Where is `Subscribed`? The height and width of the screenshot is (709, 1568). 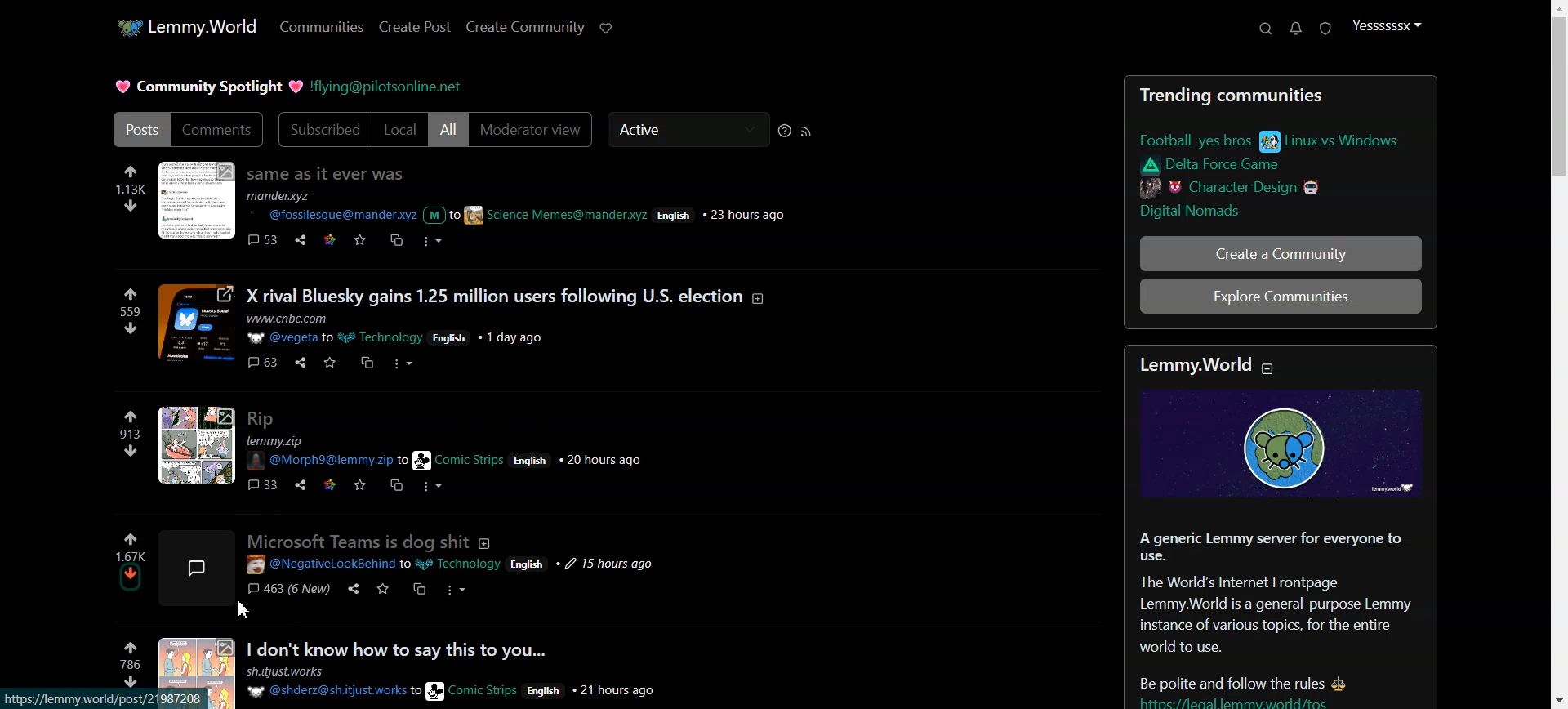 Subscribed is located at coordinates (323, 129).